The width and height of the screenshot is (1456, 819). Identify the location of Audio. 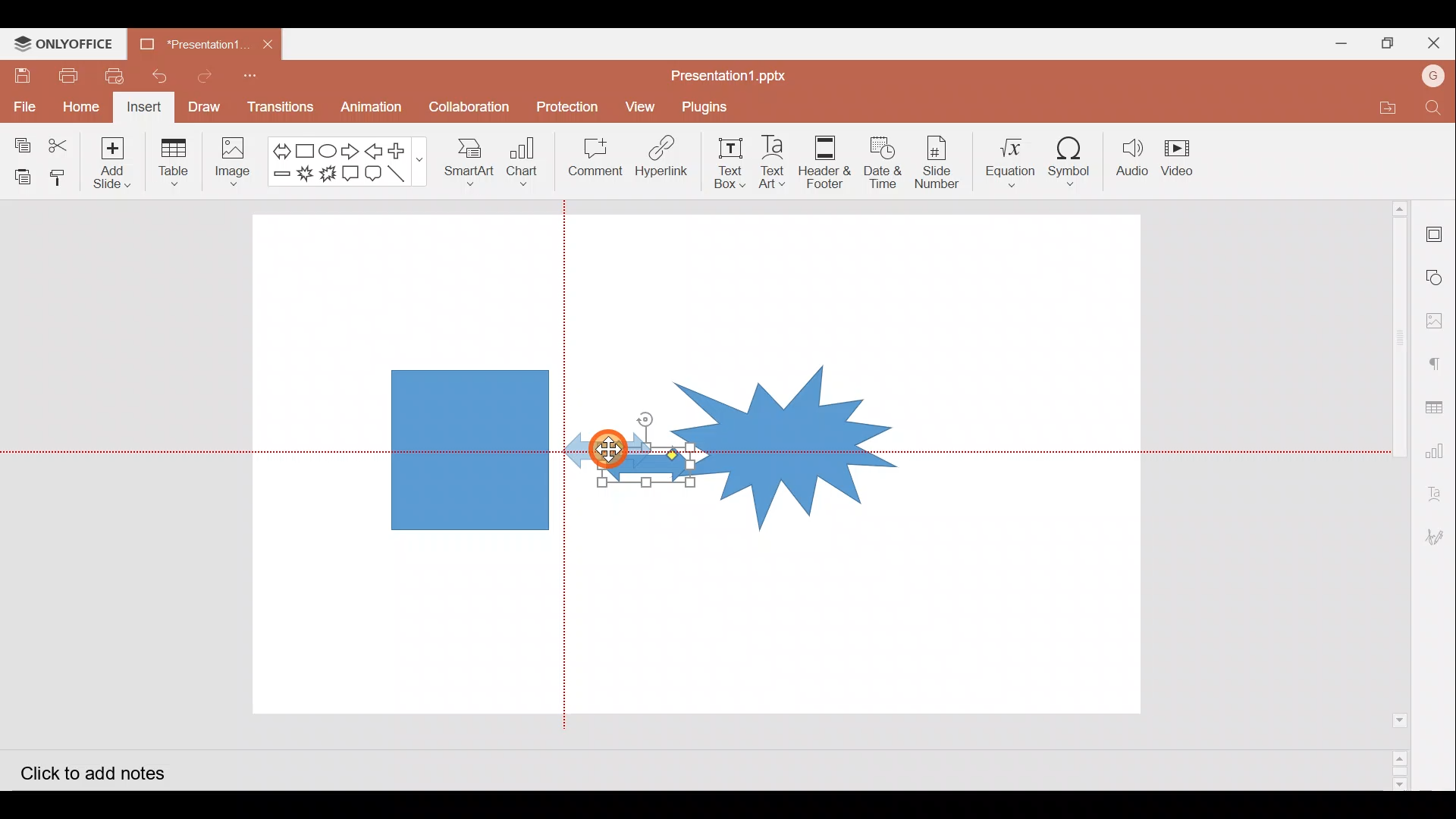
(1134, 158).